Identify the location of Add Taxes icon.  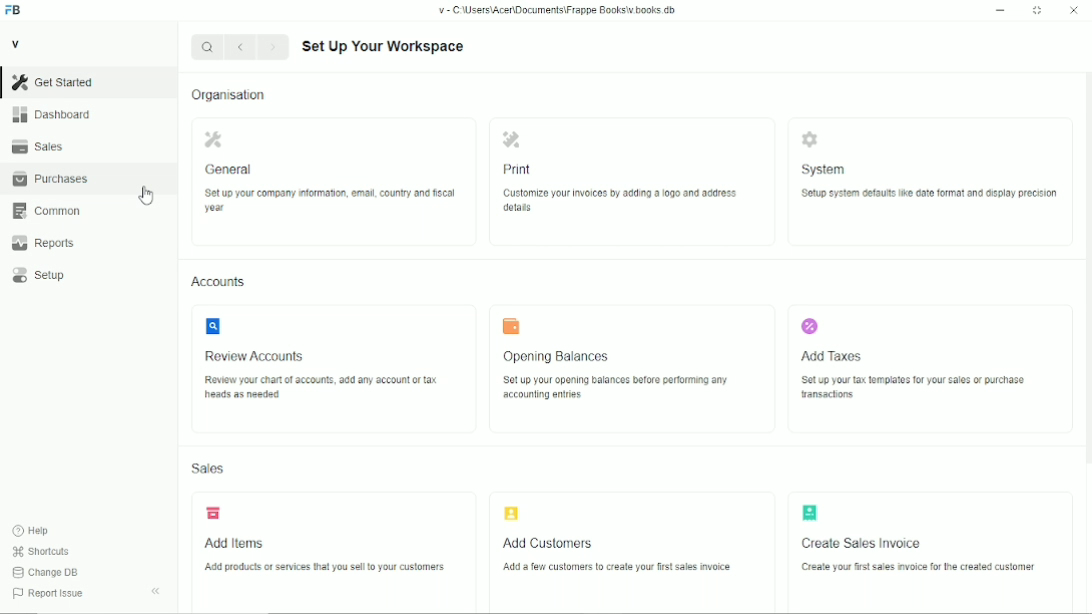
(809, 326).